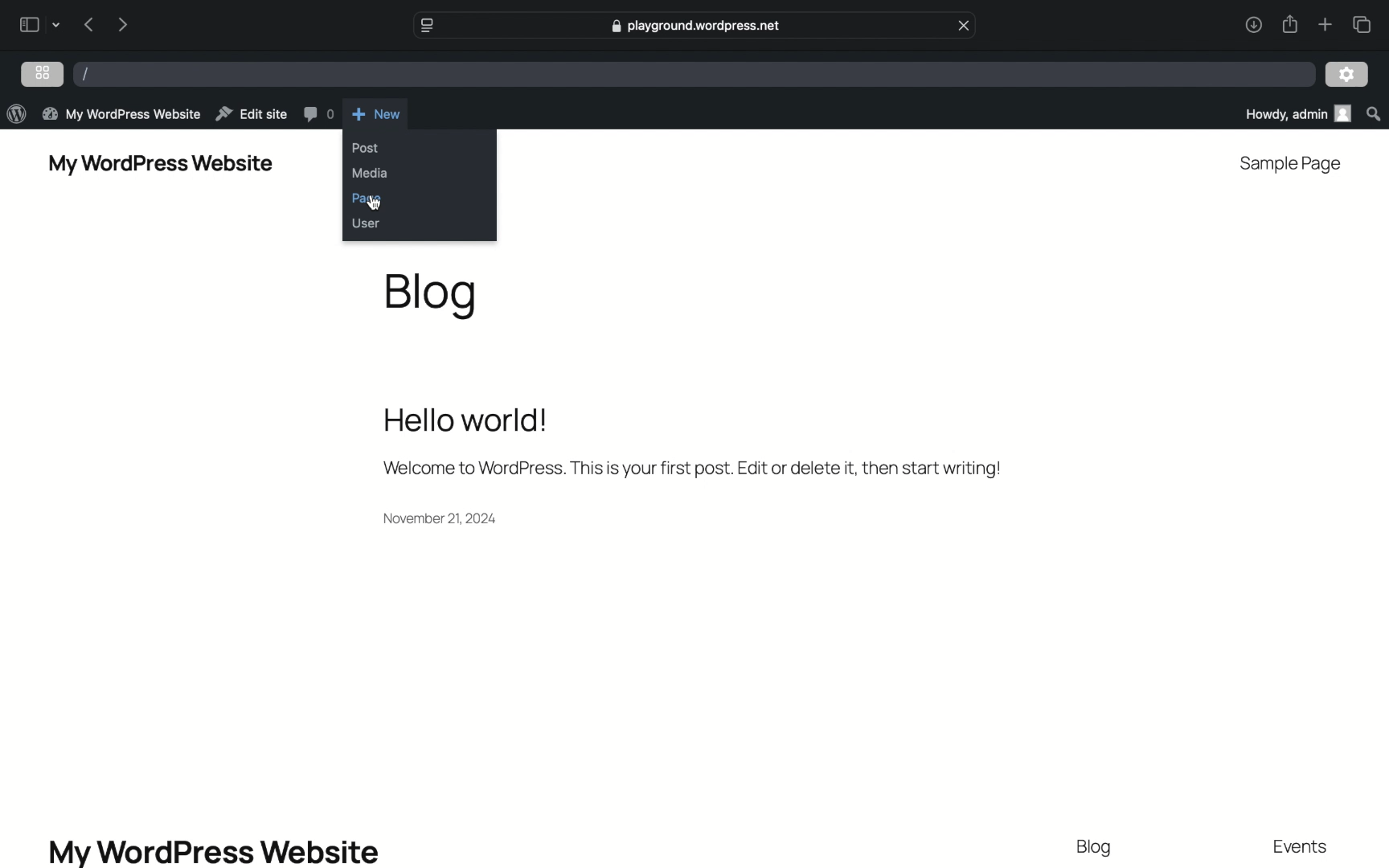 This screenshot has width=1389, height=868. I want to click on share, so click(1289, 24).